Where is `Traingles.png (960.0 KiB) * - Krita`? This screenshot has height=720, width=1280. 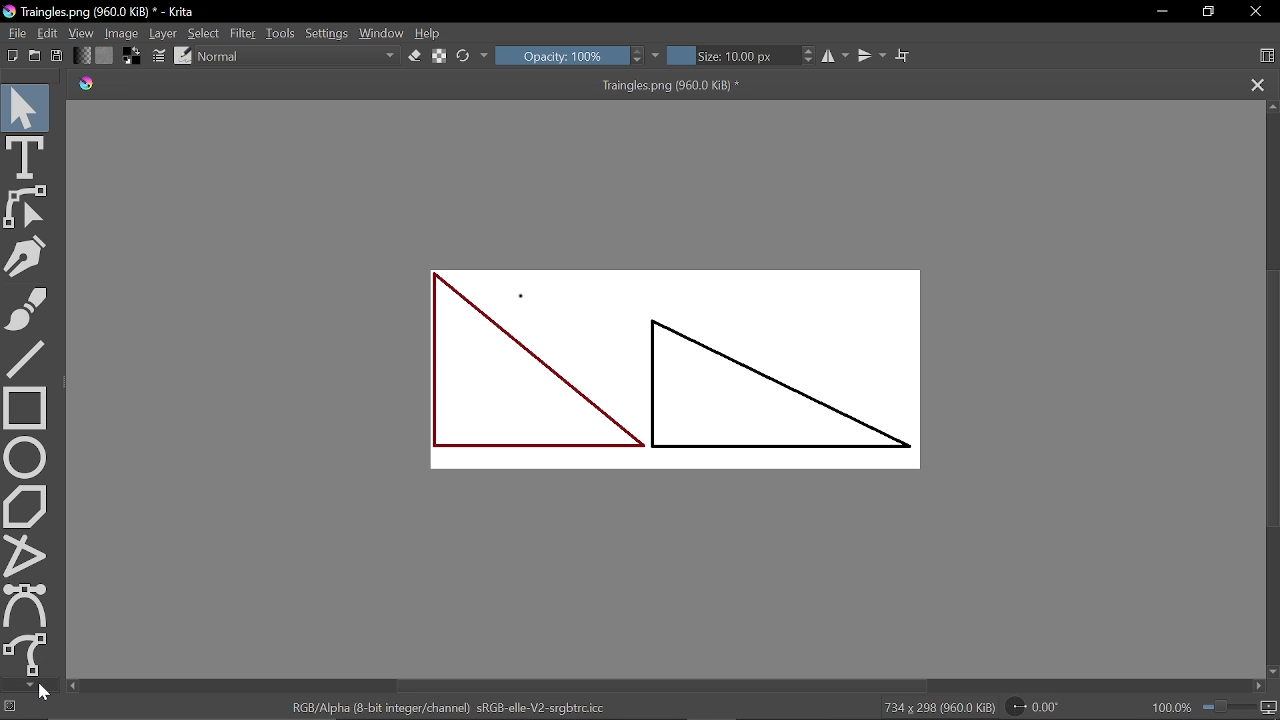
Traingles.png (960.0 KiB) * - Krita is located at coordinates (99, 11).